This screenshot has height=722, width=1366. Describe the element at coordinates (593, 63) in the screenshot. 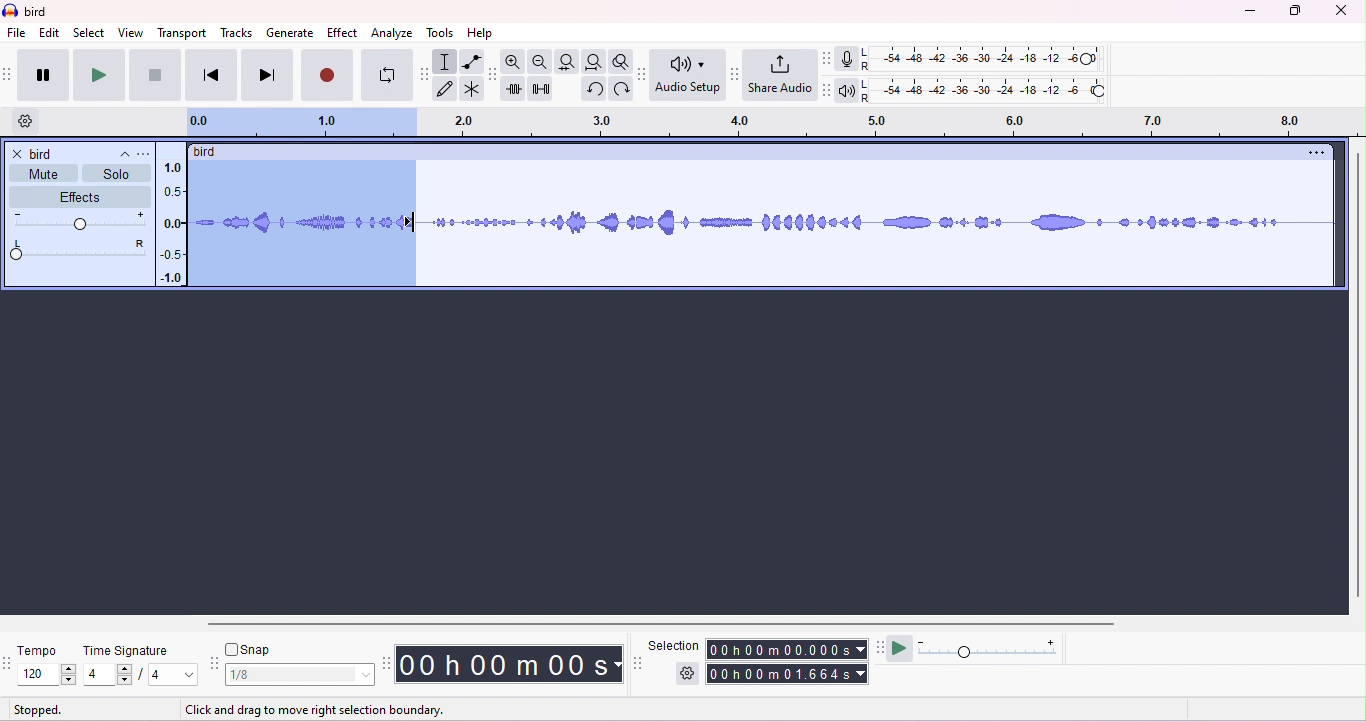

I see `fit project to width` at that location.